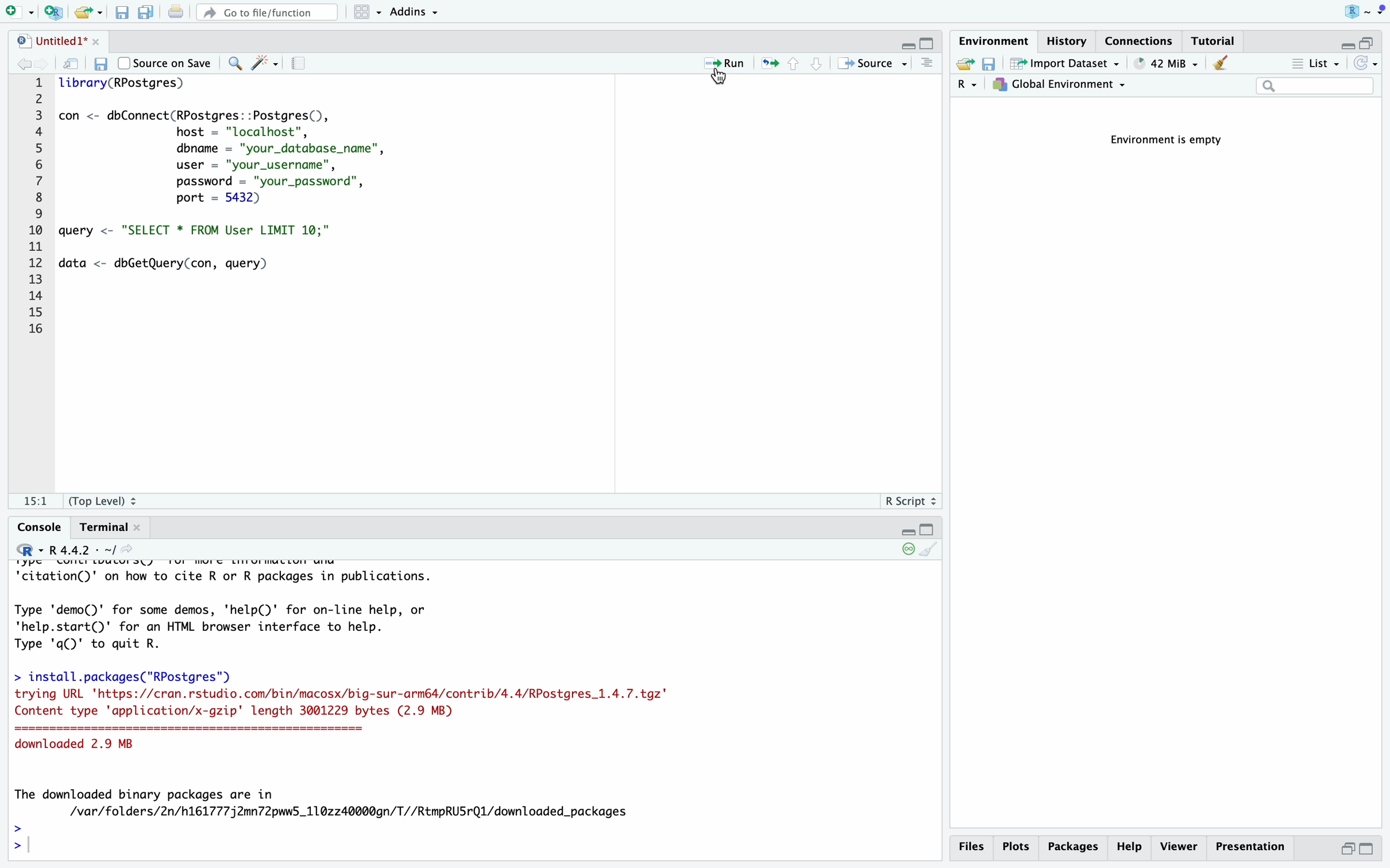 The image size is (1390, 868). What do you see at coordinates (1374, 850) in the screenshot?
I see `maximize` at bounding box center [1374, 850].